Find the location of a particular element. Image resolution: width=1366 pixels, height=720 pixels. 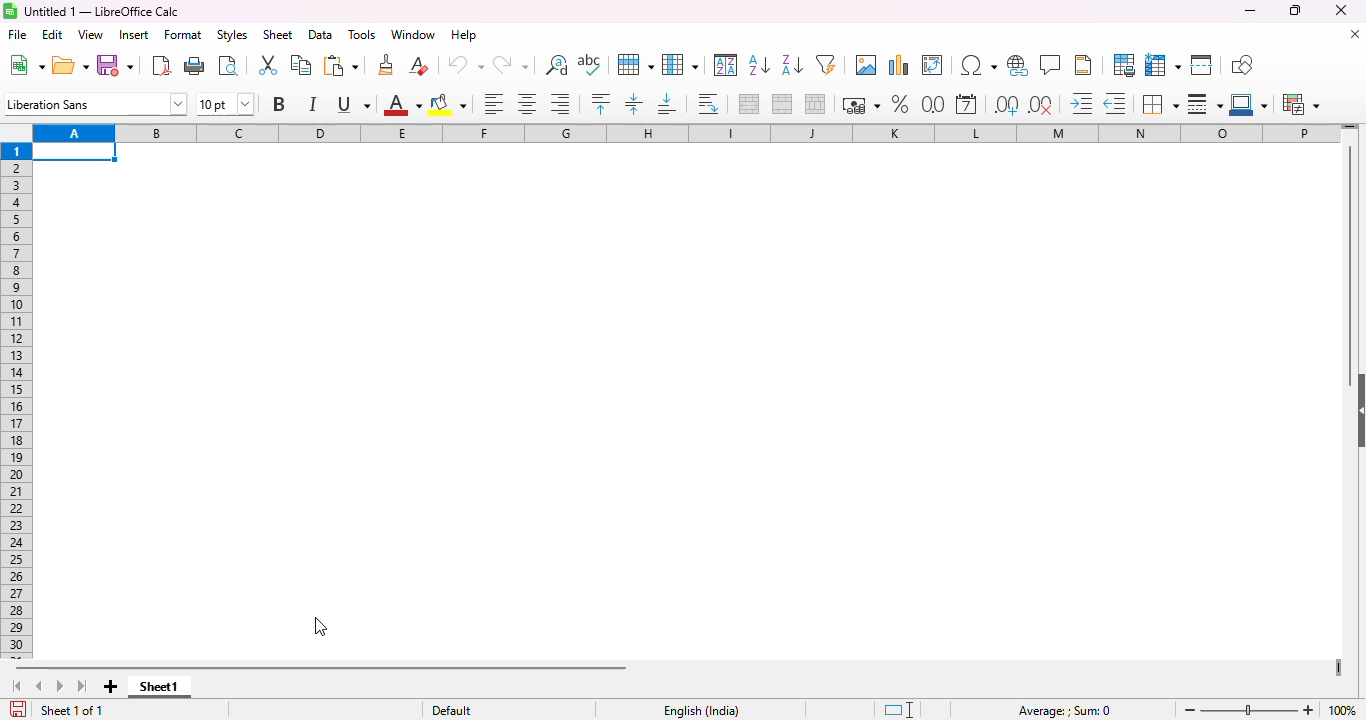

format as percent is located at coordinates (901, 102).